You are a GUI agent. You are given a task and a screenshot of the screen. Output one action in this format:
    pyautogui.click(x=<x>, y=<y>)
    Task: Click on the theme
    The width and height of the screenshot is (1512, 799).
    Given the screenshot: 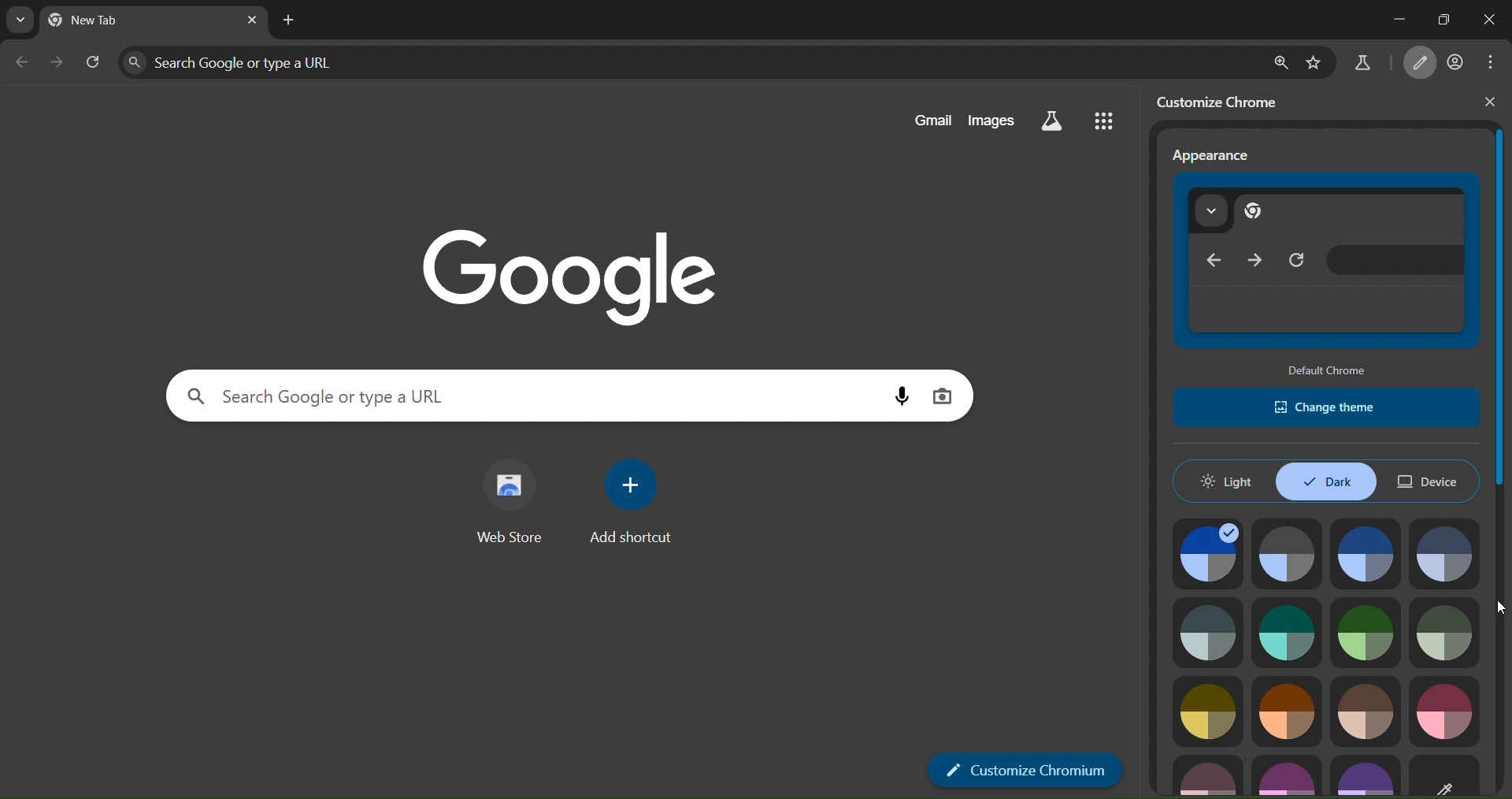 What is the action you would take?
    pyautogui.click(x=1366, y=775)
    